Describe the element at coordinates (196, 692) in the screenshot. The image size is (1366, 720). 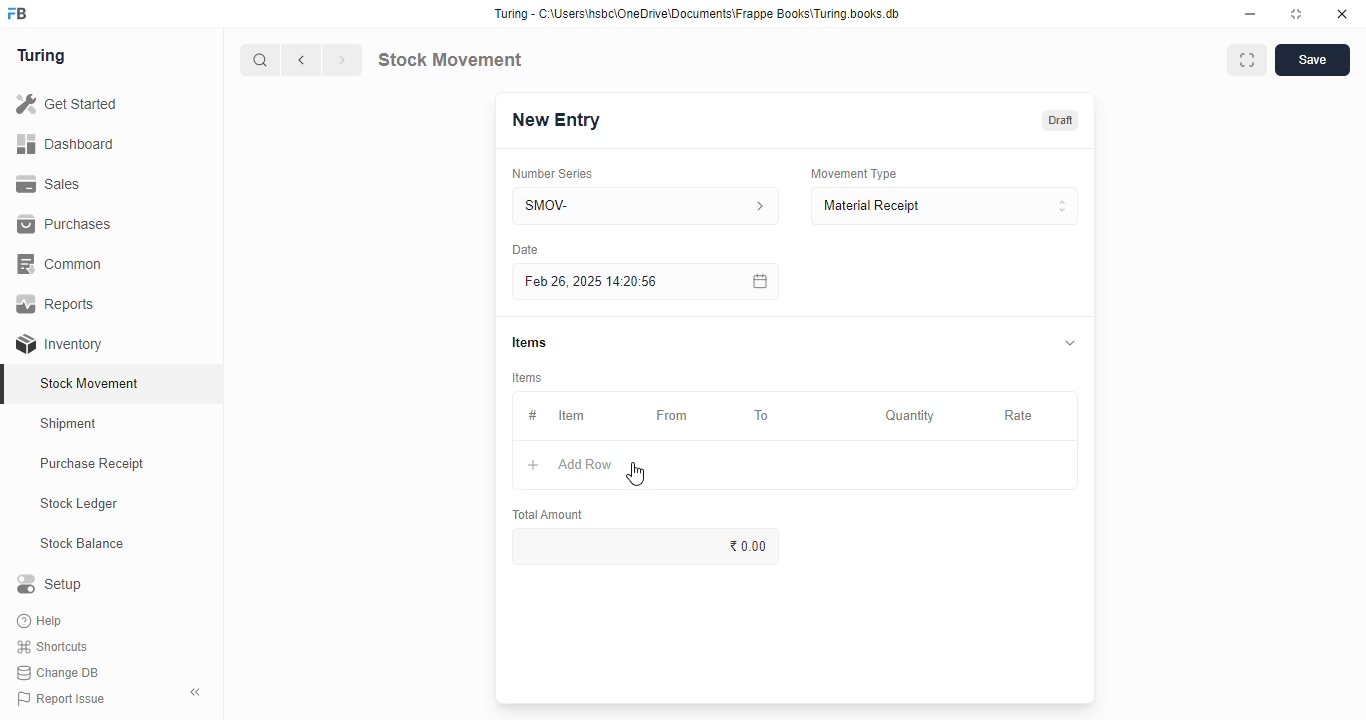
I see `toggle sidebar` at that location.